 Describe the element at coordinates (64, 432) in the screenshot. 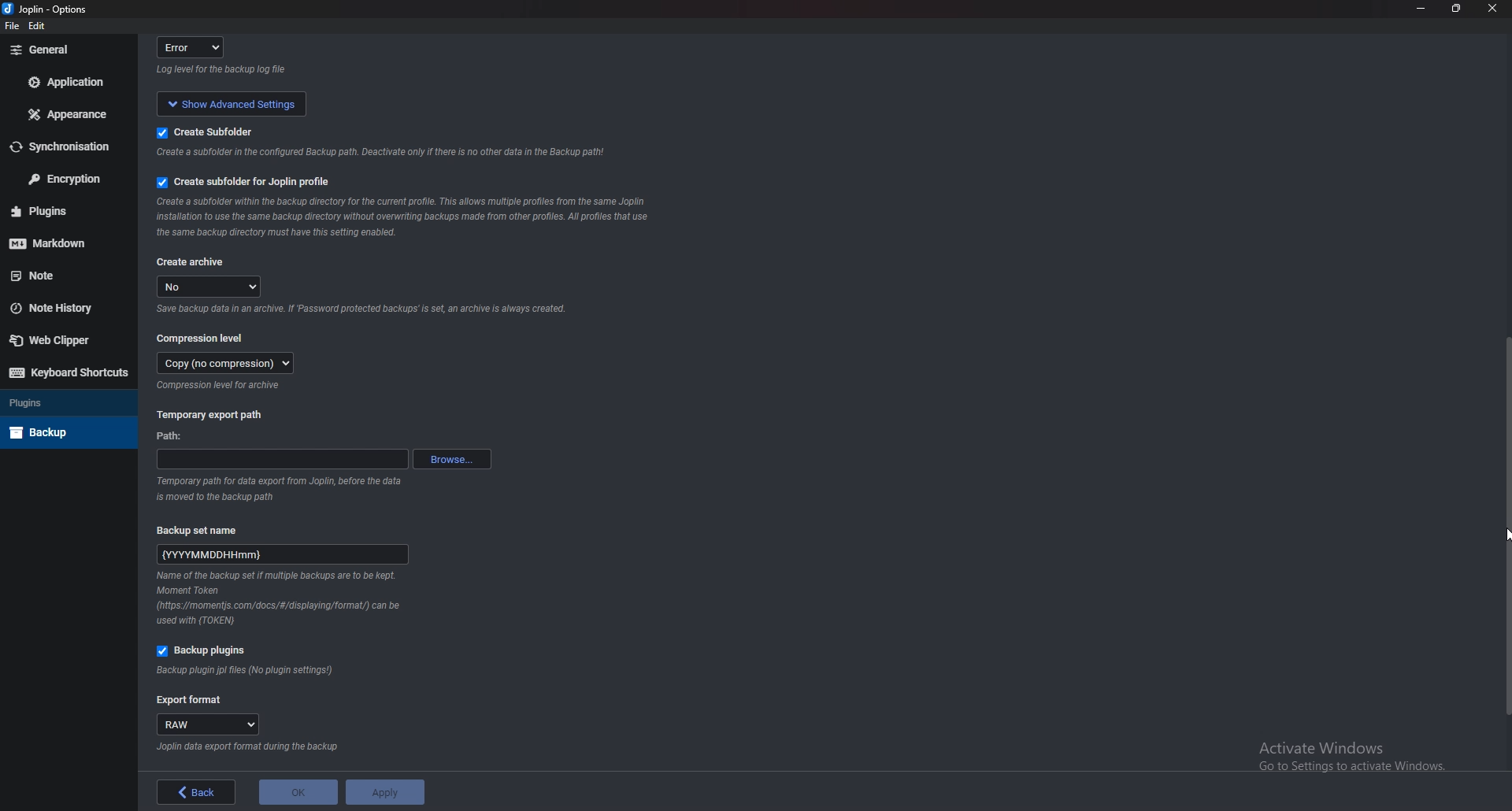

I see `Back up` at that location.